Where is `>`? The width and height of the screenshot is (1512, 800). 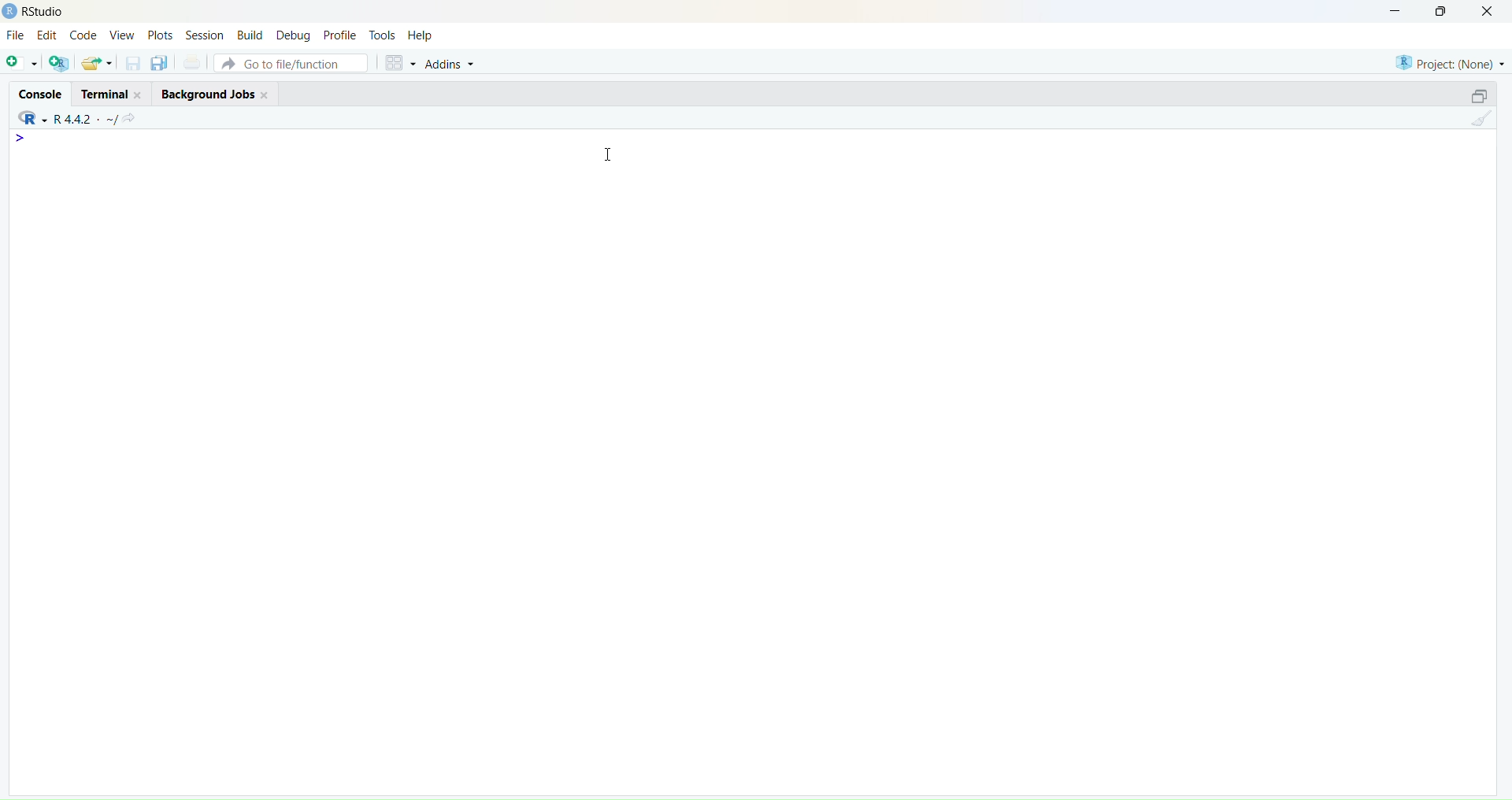
> is located at coordinates (24, 139).